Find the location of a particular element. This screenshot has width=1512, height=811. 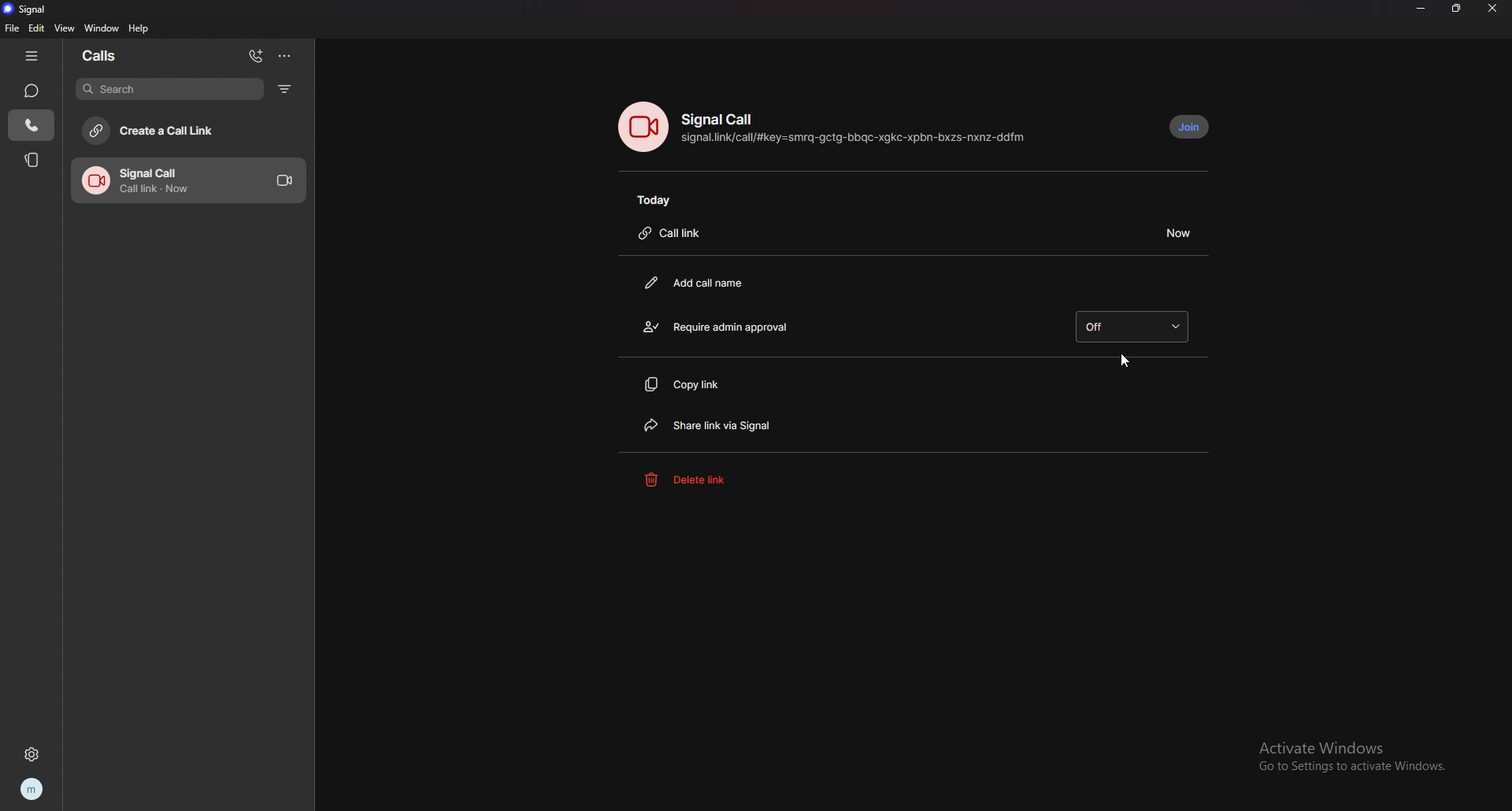

today is located at coordinates (659, 200).